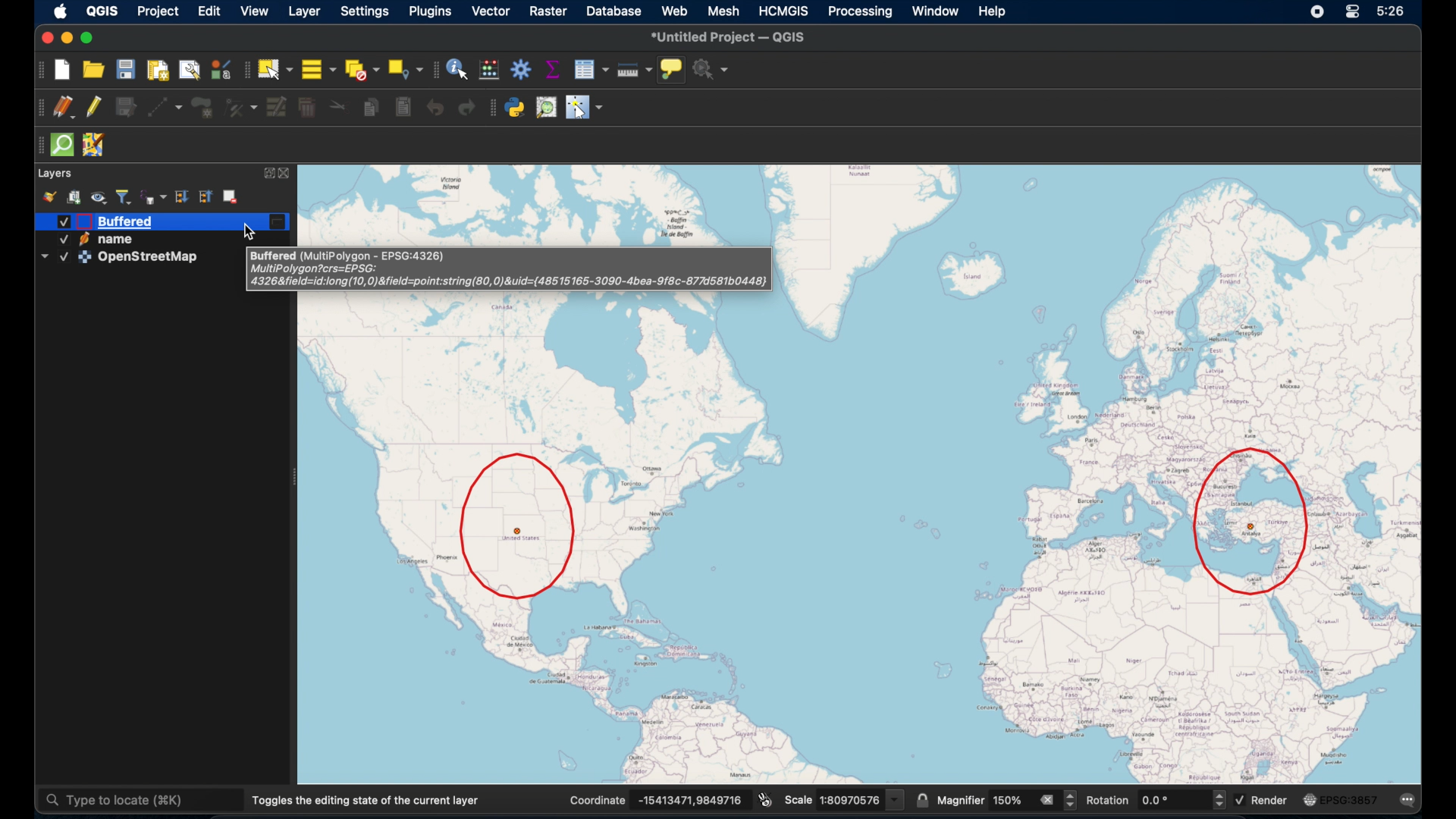 Image resolution: width=1456 pixels, height=819 pixels. What do you see at coordinates (489, 68) in the screenshot?
I see `open field calculator` at bounding box center [489, 68].